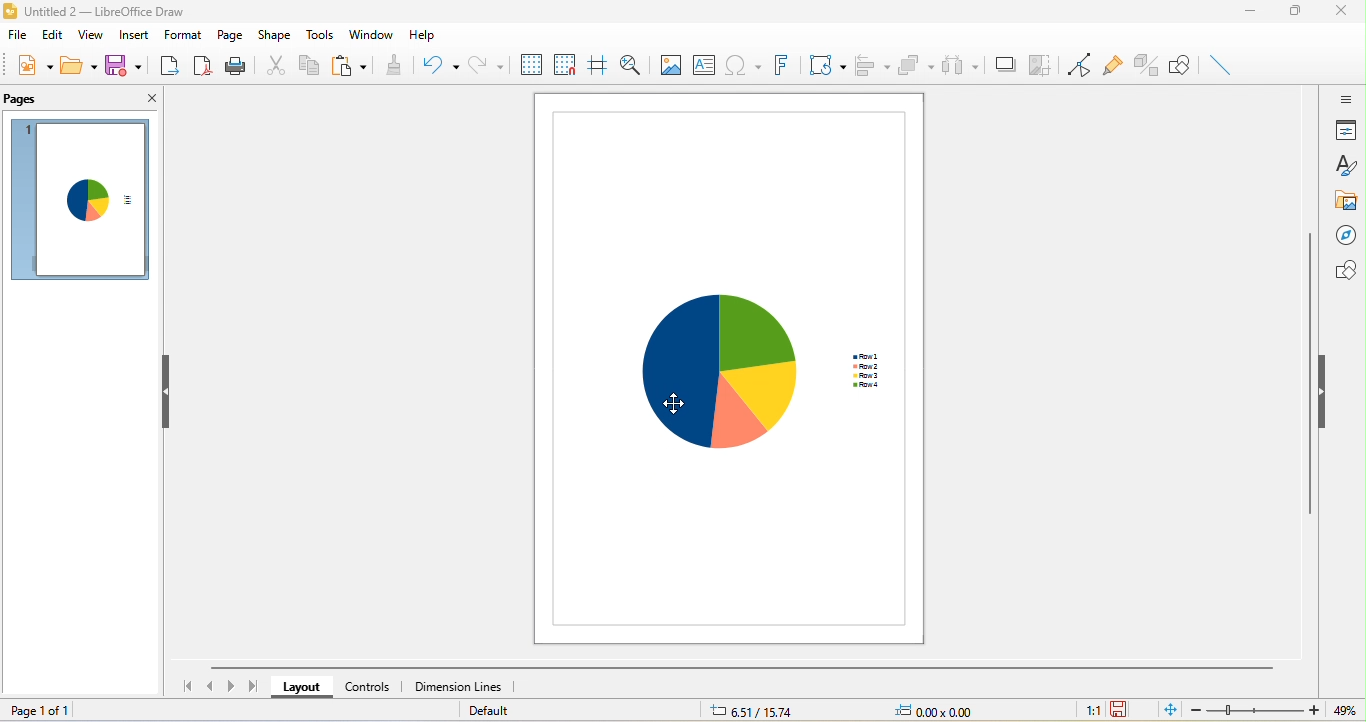 Image resolution: width=1366 pixels, height=722 pixels. What do you see at coordinates (1322, 389) in the screenshot?
I see `hide` at bounding box center [1322, 389].